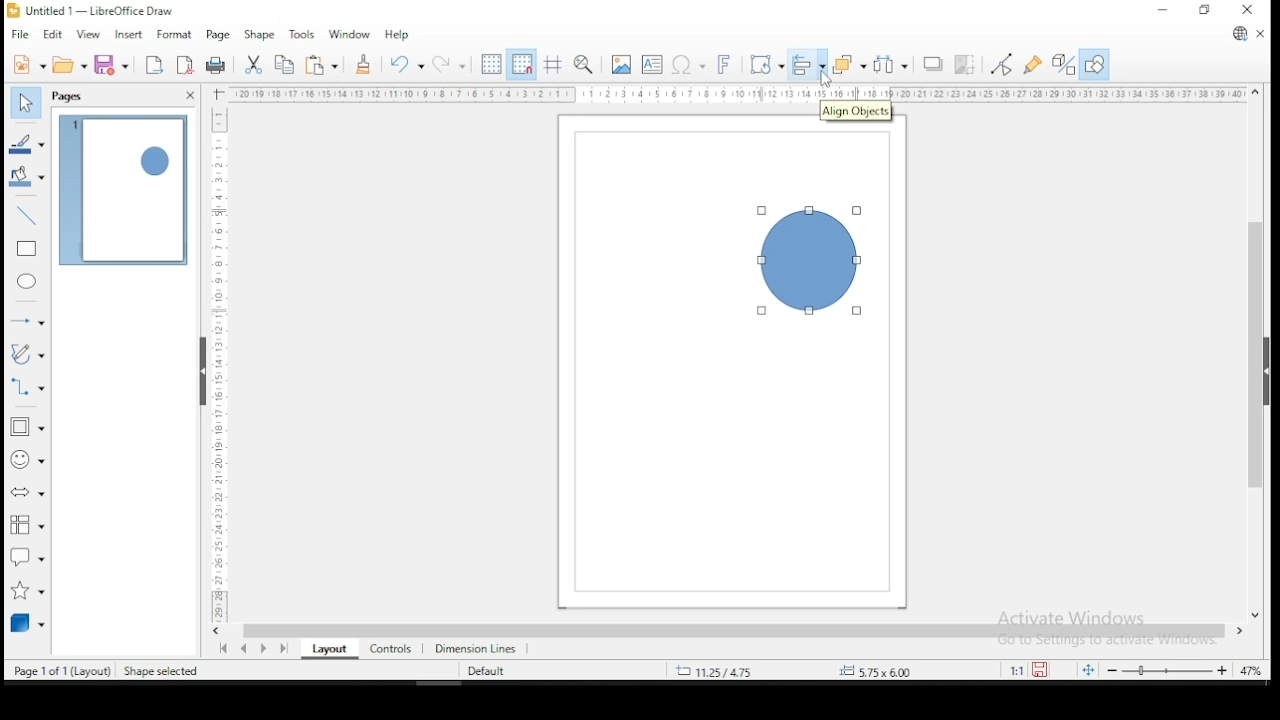 The height and width of the screenshot is (720, 1280). I want to click on line color, so click(28, 145).